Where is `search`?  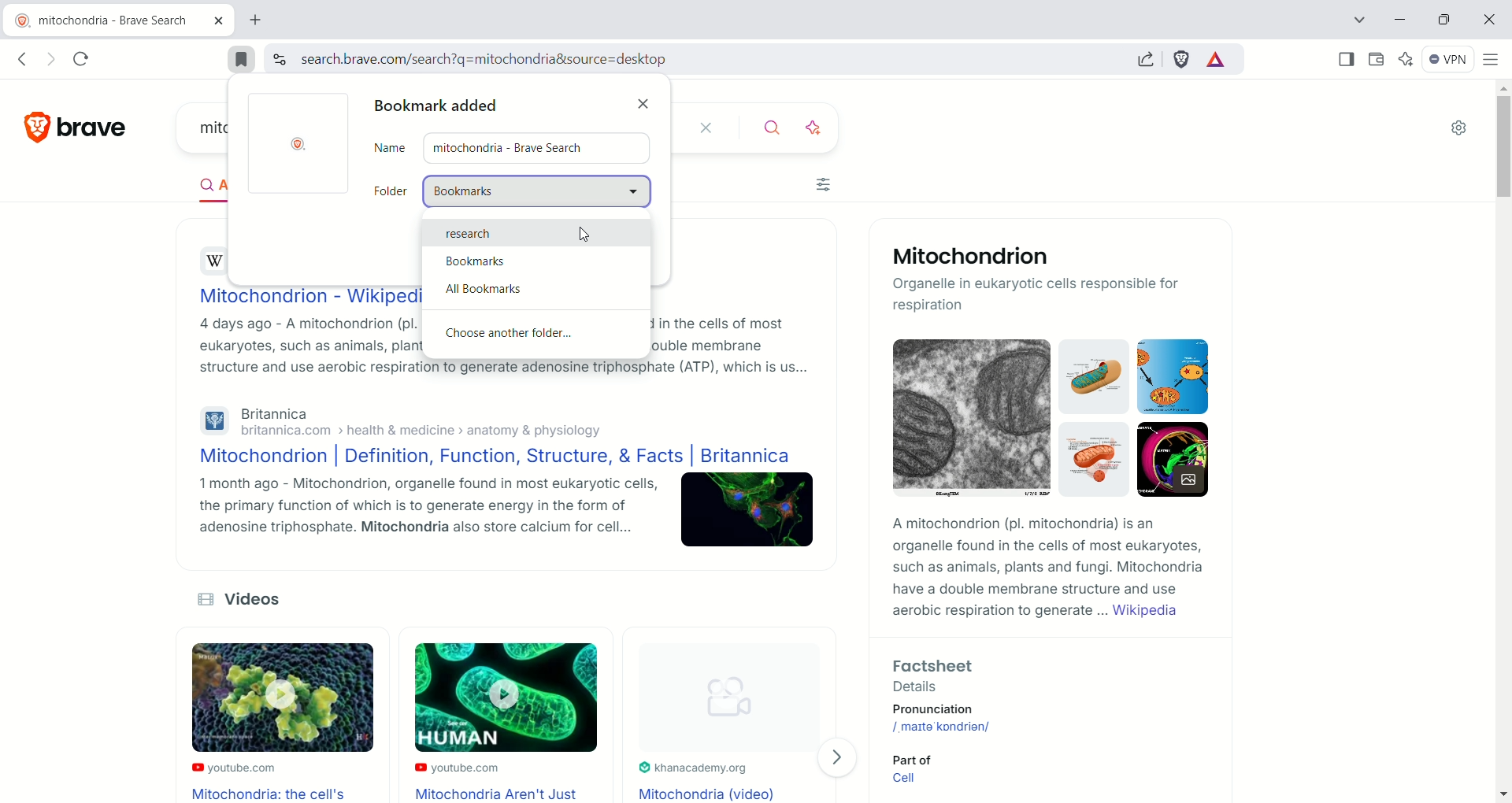 search is located at coordinates (764, 128).